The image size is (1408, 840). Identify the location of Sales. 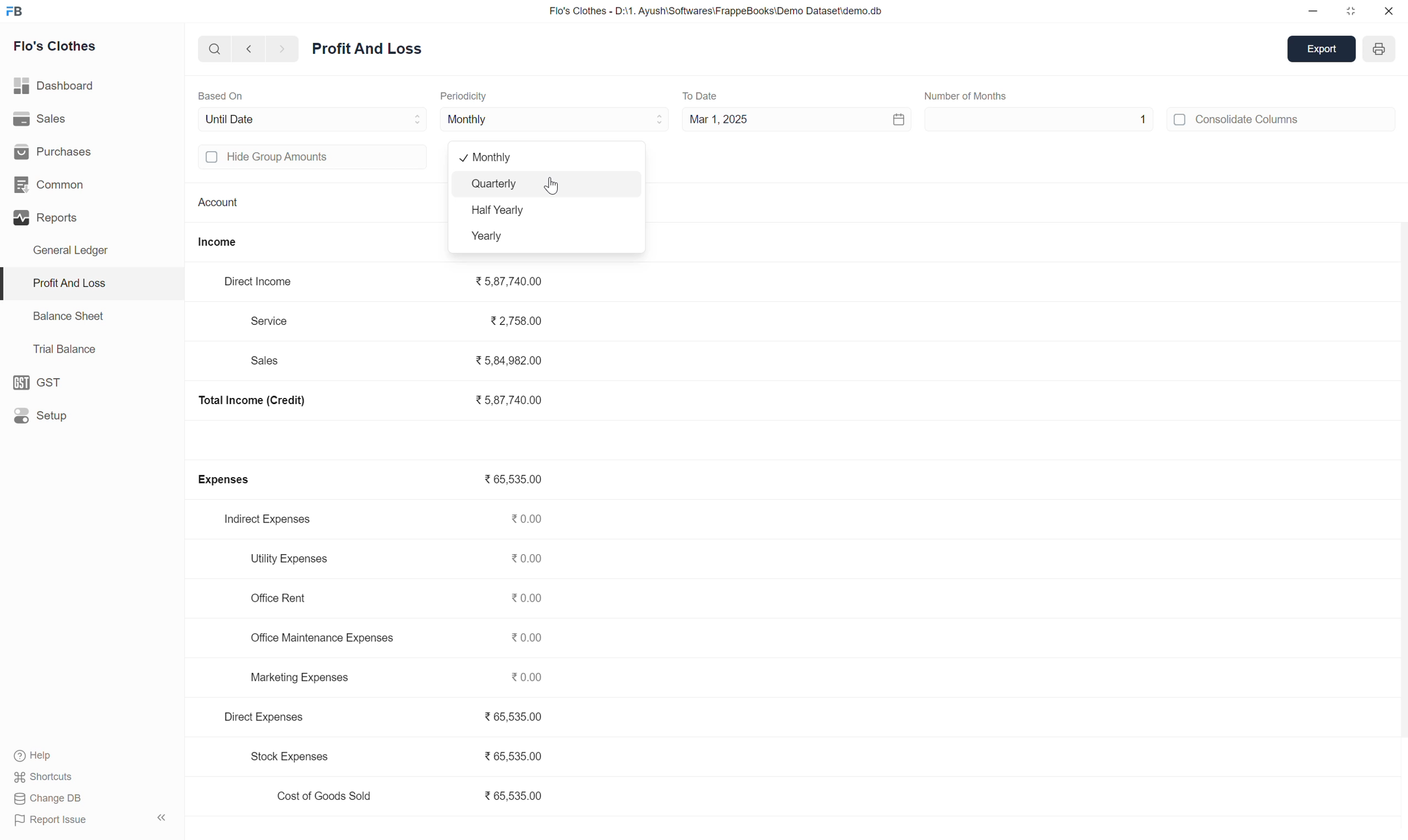
(38, 121).